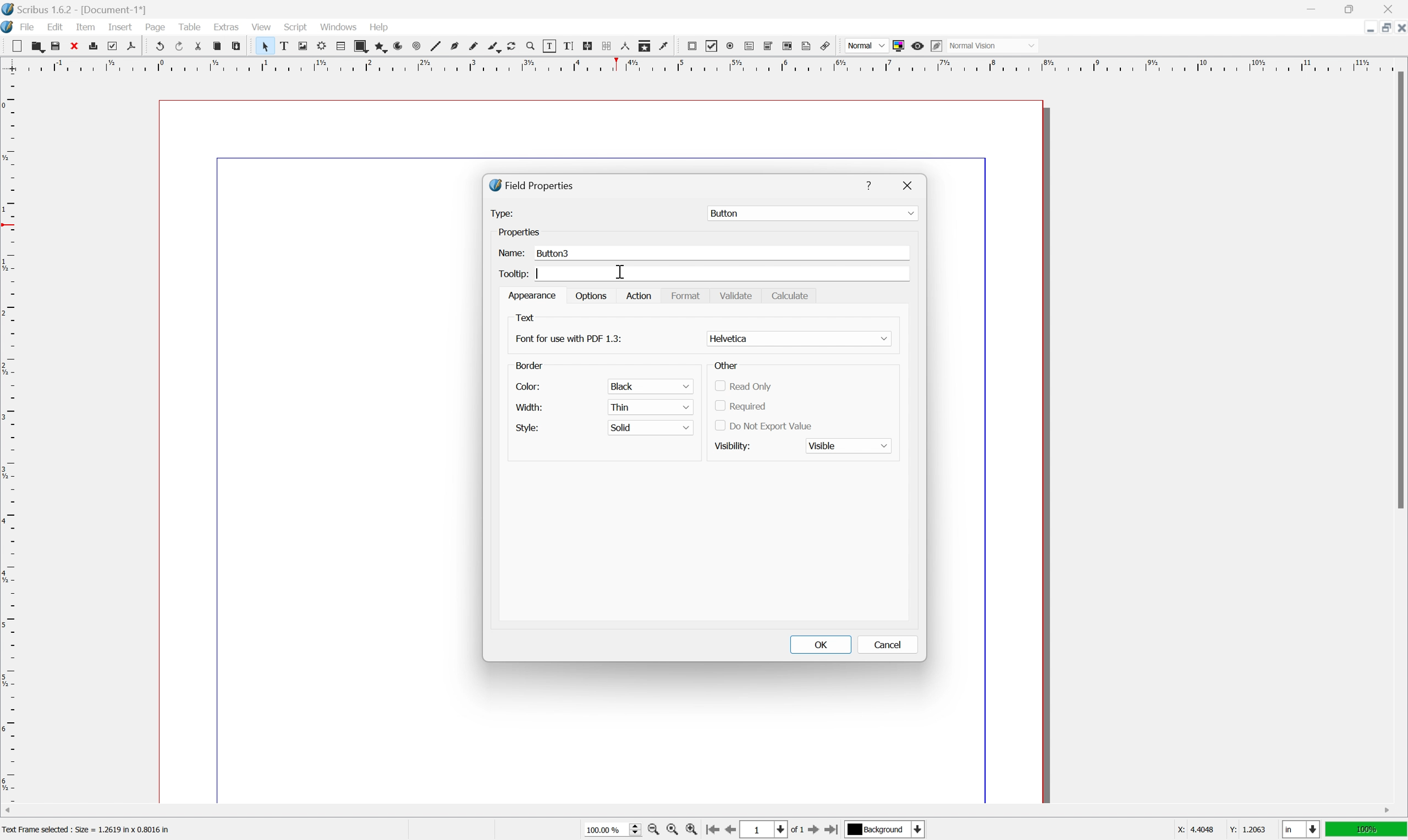 This screenshot has height=840, width=1408. I want to click on Cancel, so click(891, 644).